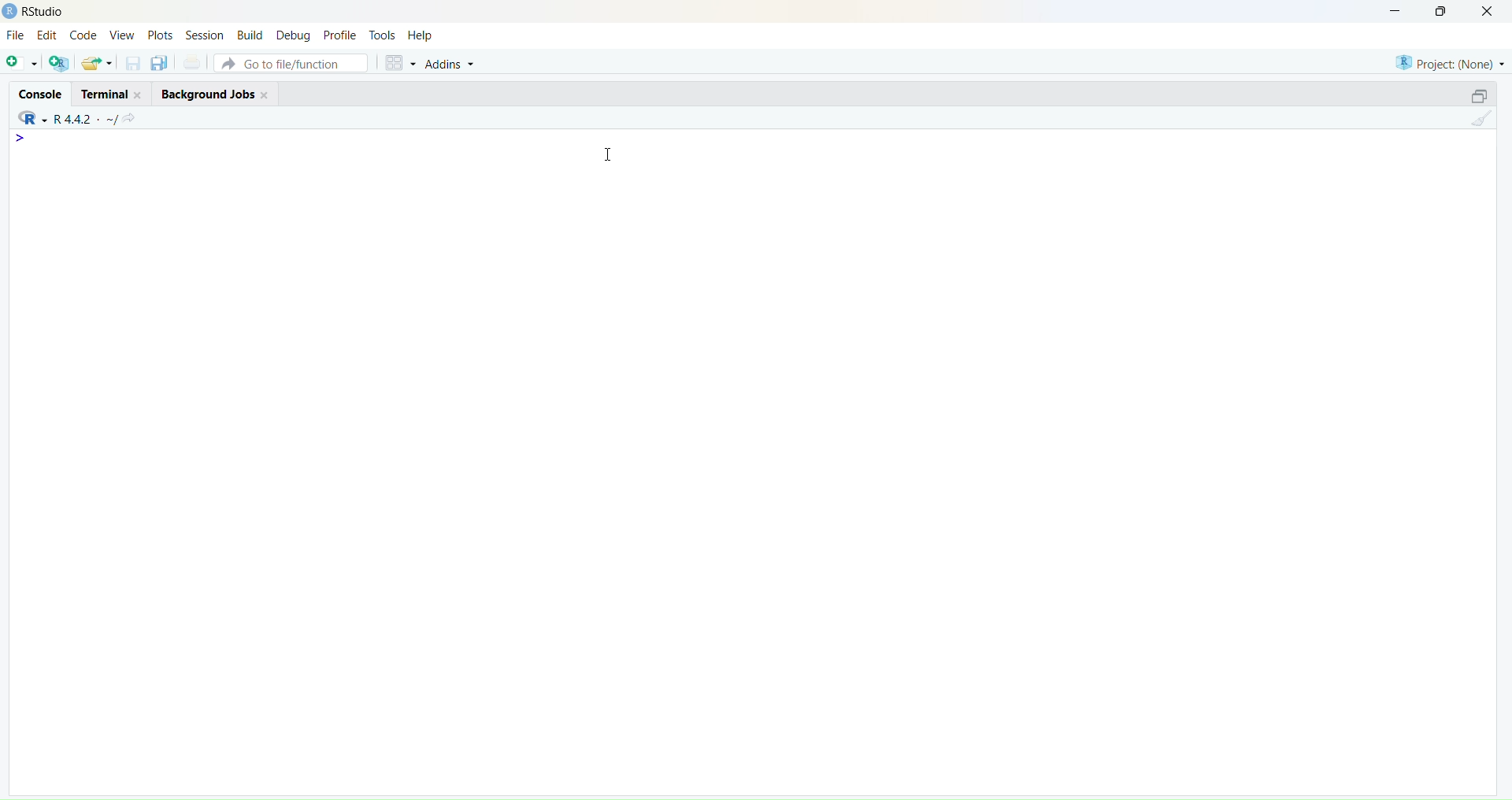  What do you see at coordinates (124, 36) in the screenshot?
I see `View` at bounding box center [124, 36].